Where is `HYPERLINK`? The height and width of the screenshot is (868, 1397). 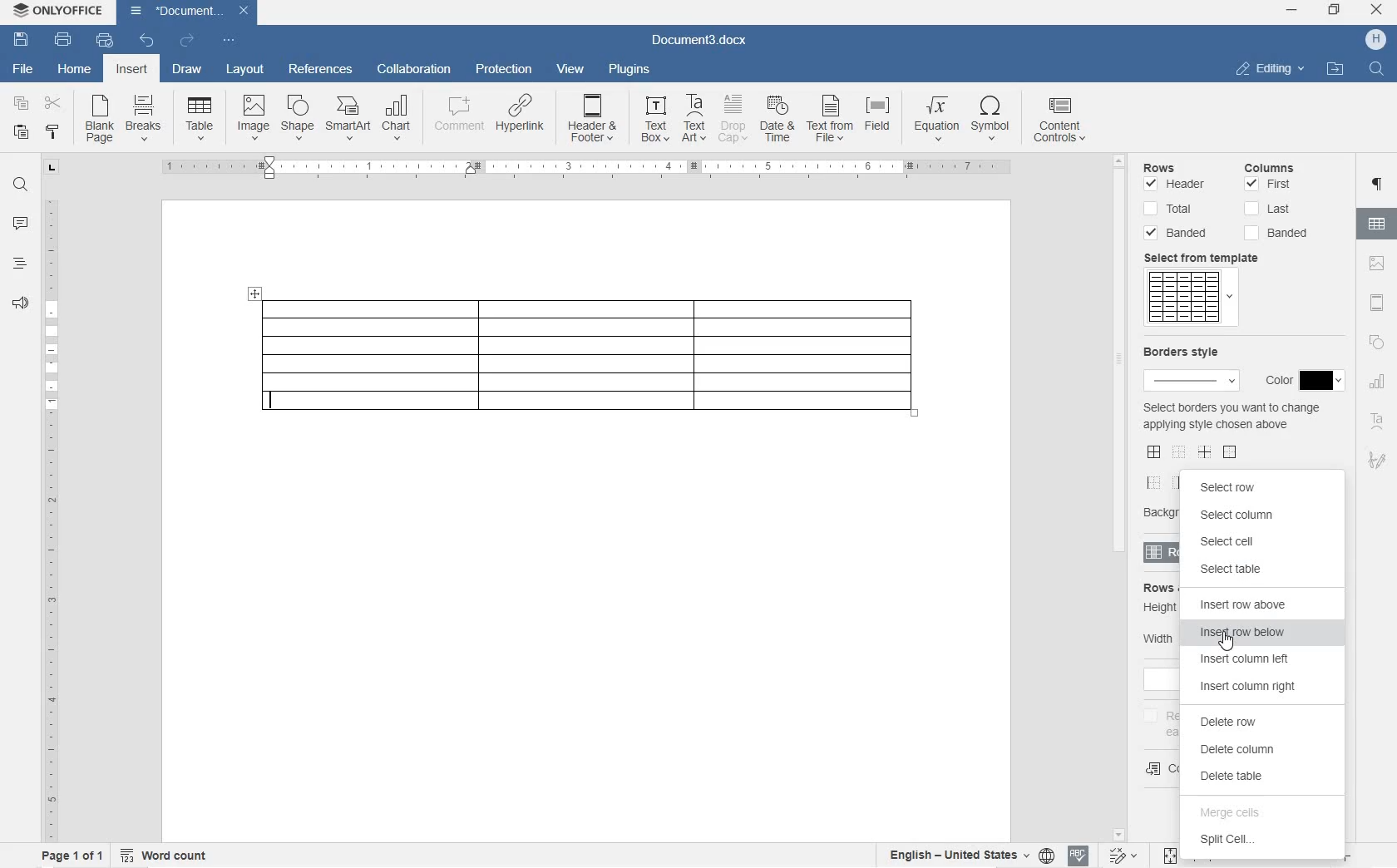
HYPERLINK is located at coordinates (522, 113).